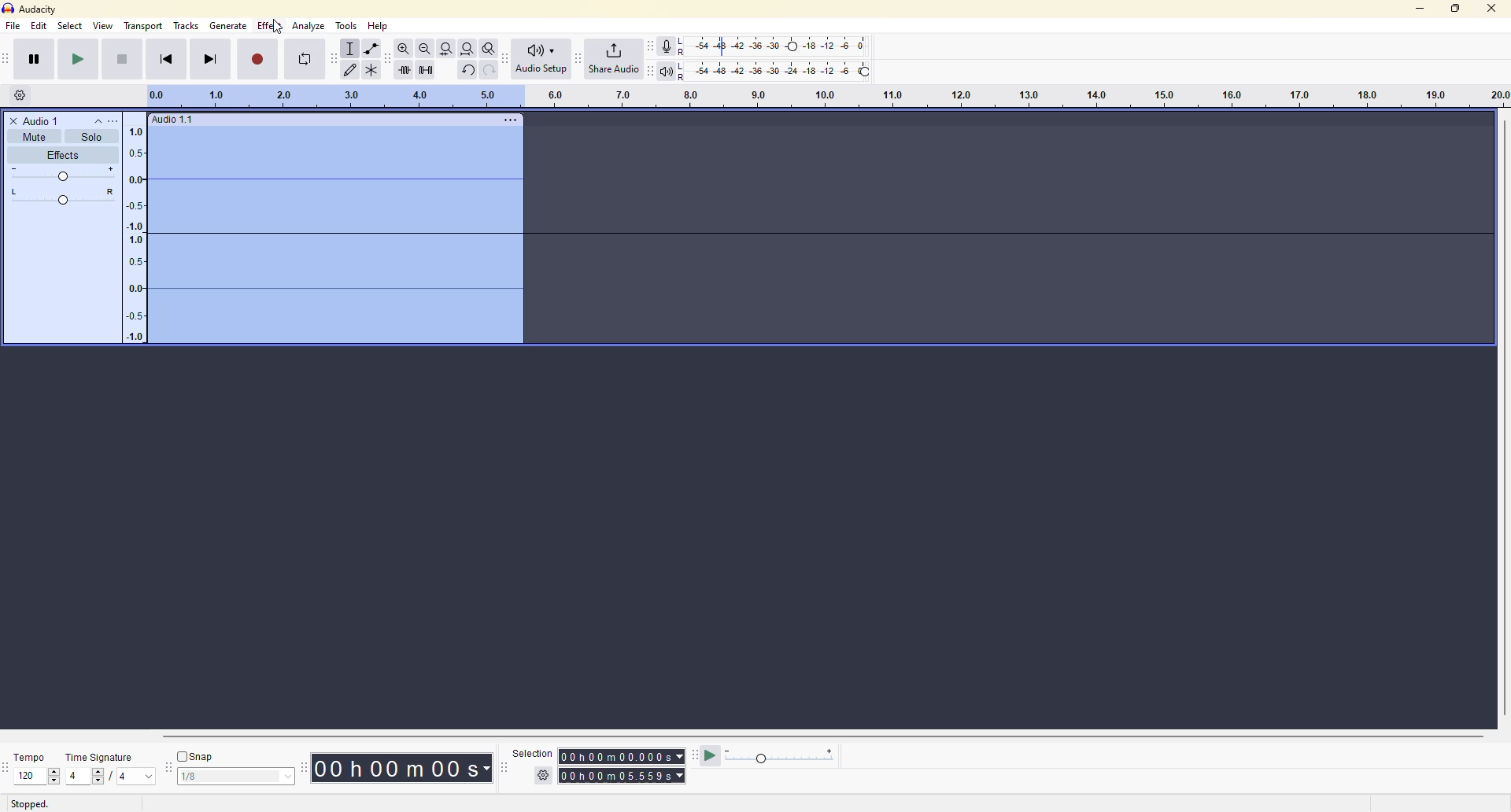 The image size is (1511, 812). What do you see at coordinates (401, 68) in the screenshot?
I see `trim audio outside selection` at bounding box center [401, 68].